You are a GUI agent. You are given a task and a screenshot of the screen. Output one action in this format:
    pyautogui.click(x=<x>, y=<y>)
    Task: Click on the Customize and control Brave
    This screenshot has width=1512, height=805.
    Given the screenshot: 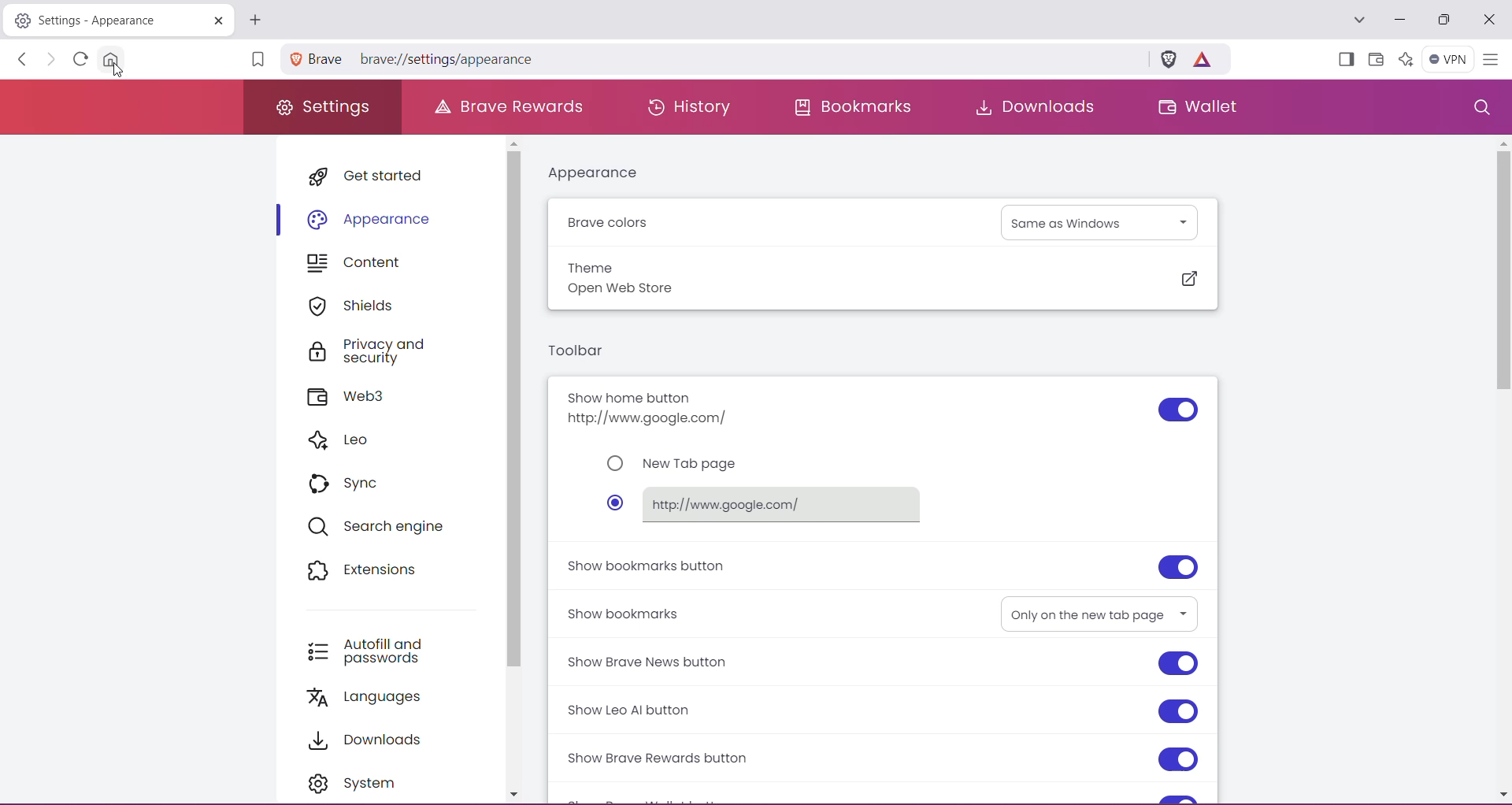 What is the action you would take?
    pyautogui.click(x=1490, y=61)
    